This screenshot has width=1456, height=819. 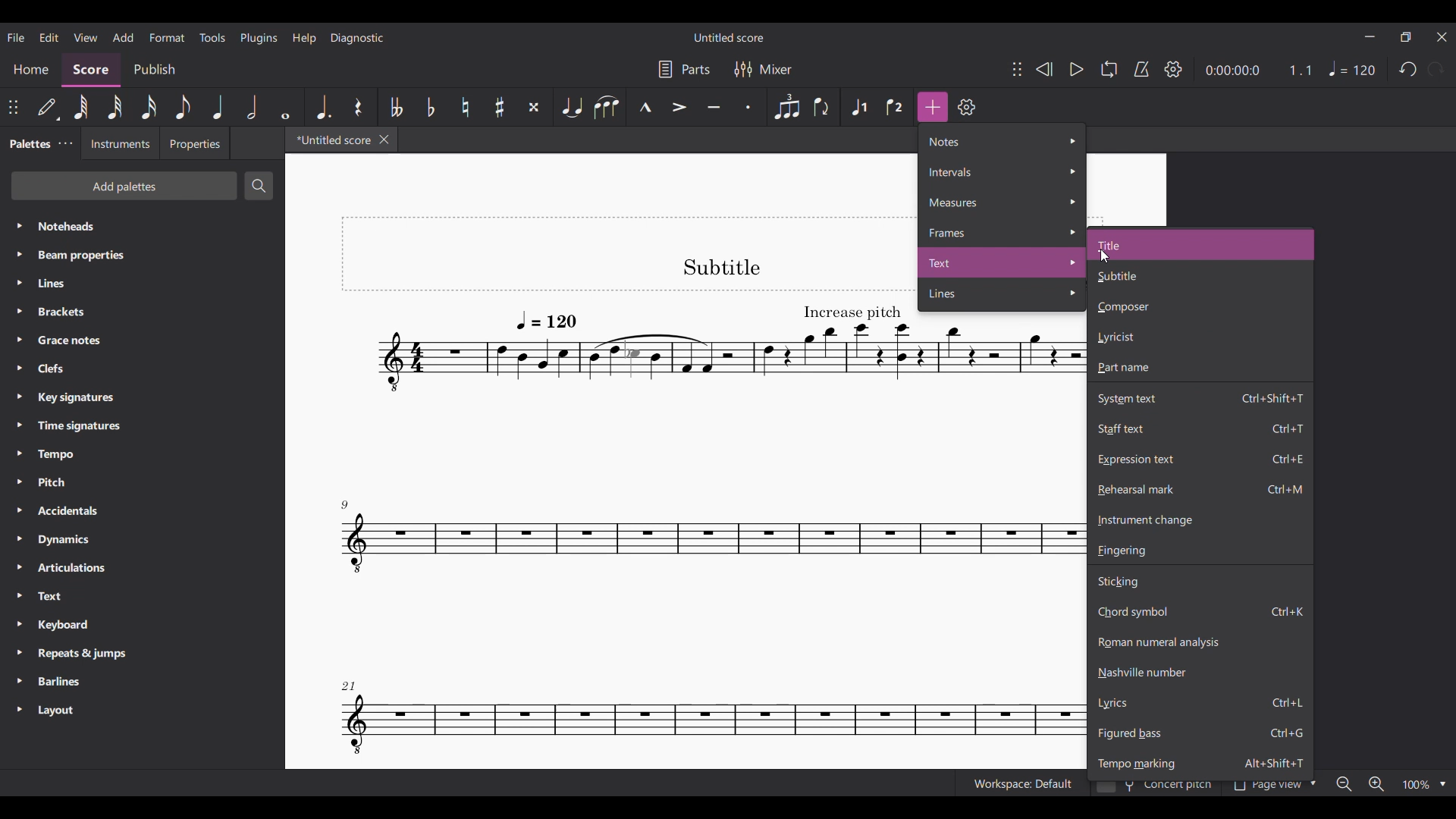 What do you see at coordinates (142, 425) in the screenshot?
I see `Time signatures` at bounding box center [142, 425].